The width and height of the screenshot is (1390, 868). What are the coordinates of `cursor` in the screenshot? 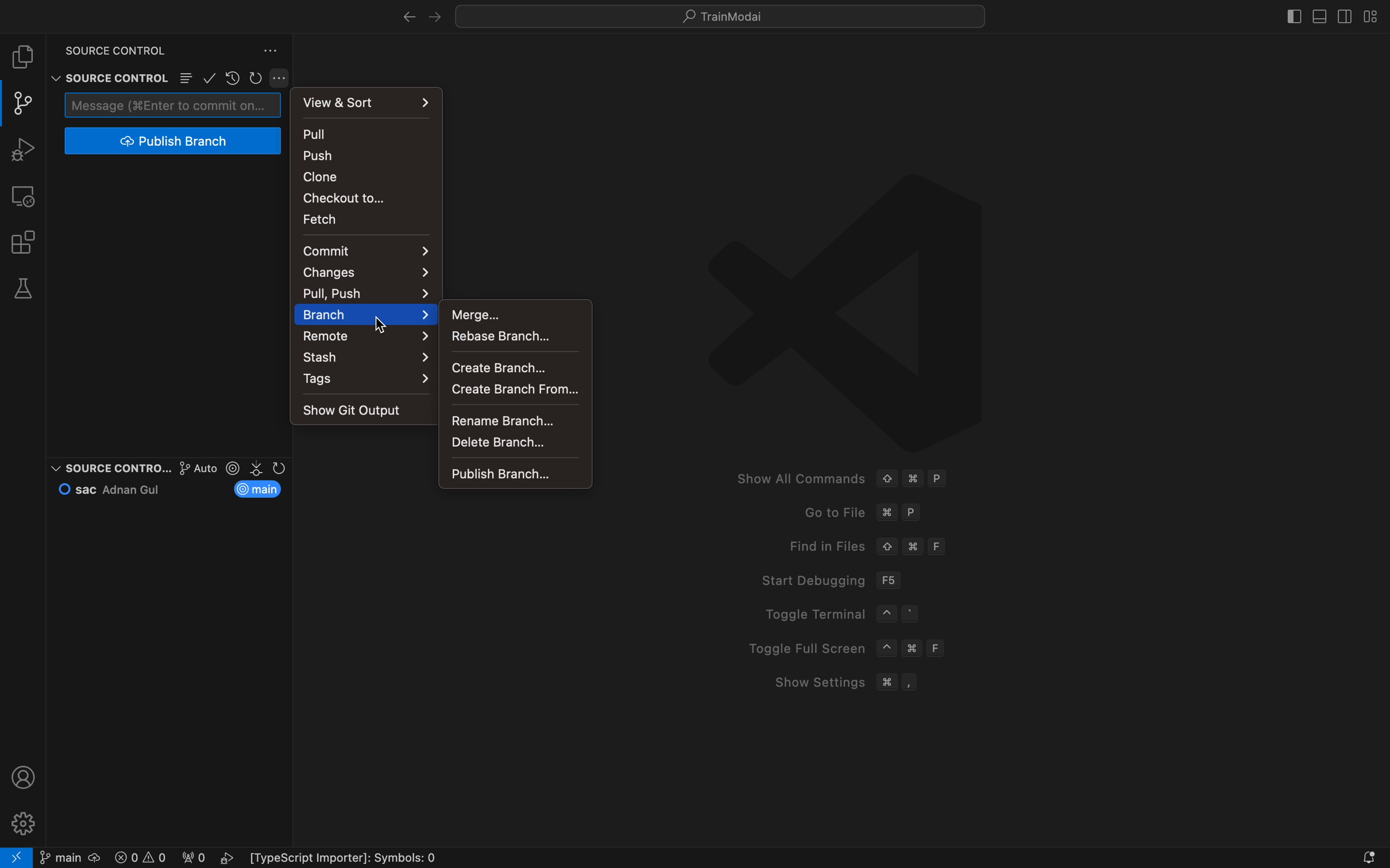 It's located at (383, 327).